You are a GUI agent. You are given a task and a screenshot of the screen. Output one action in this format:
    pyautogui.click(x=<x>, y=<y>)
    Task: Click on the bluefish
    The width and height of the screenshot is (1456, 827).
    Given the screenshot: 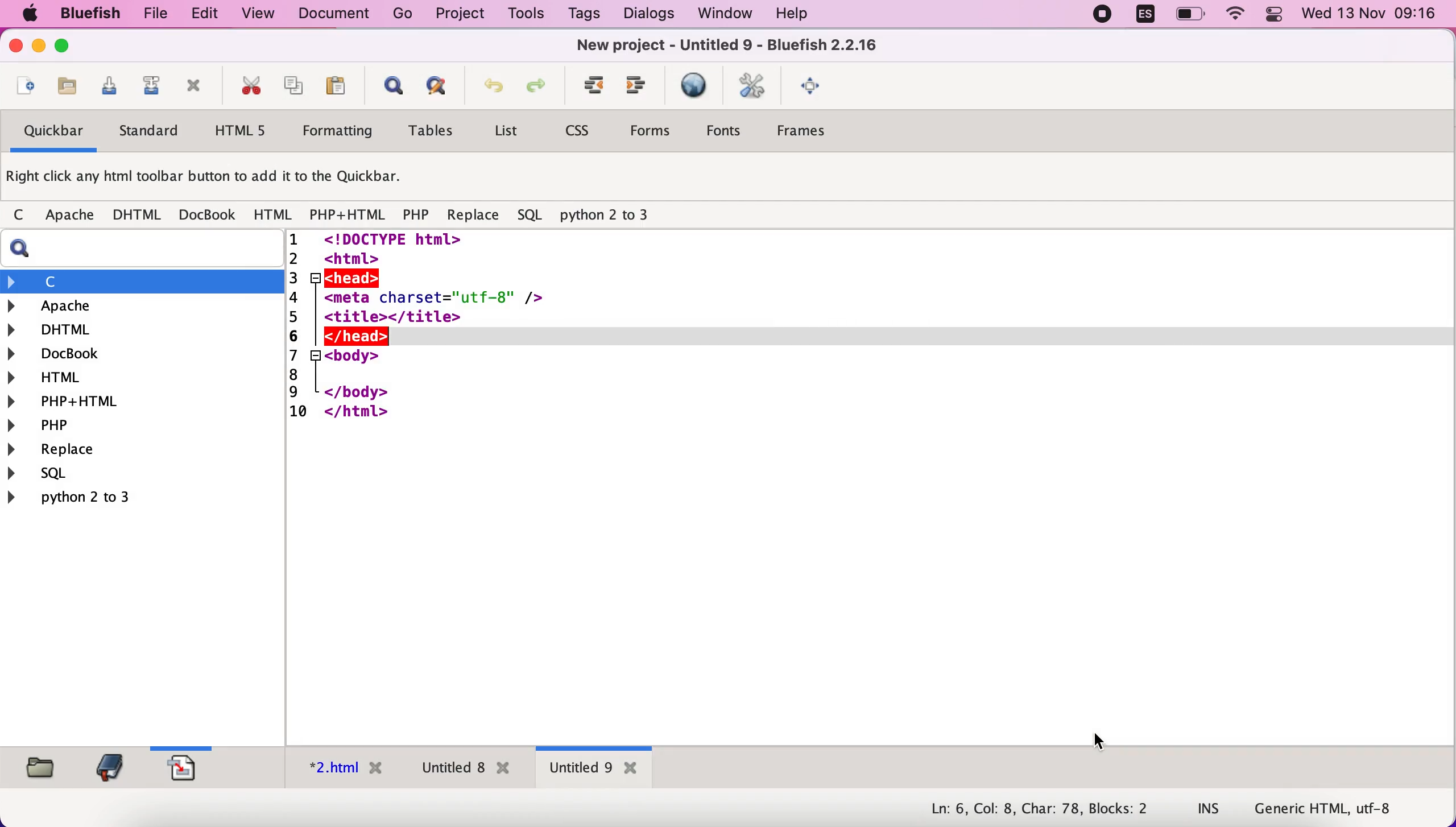 What is the action you would take?
    pyautogui.click(x=85, y=13)
    